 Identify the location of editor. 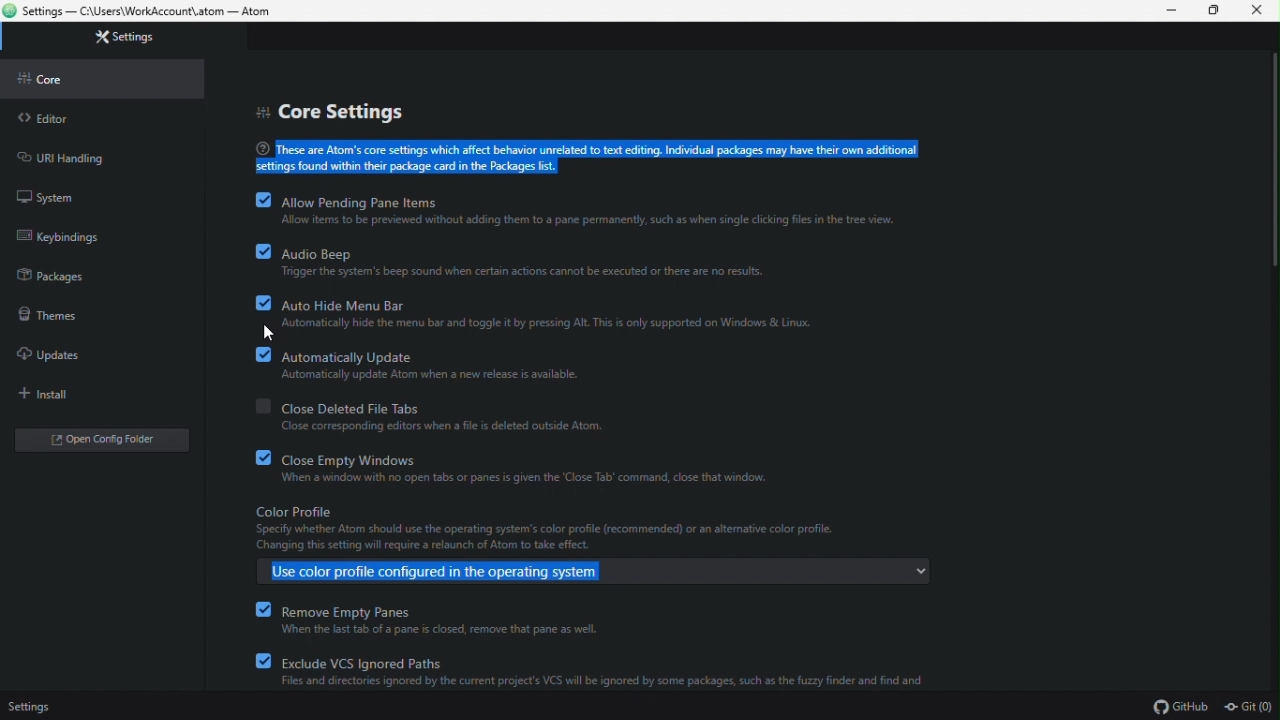
(46, 117).